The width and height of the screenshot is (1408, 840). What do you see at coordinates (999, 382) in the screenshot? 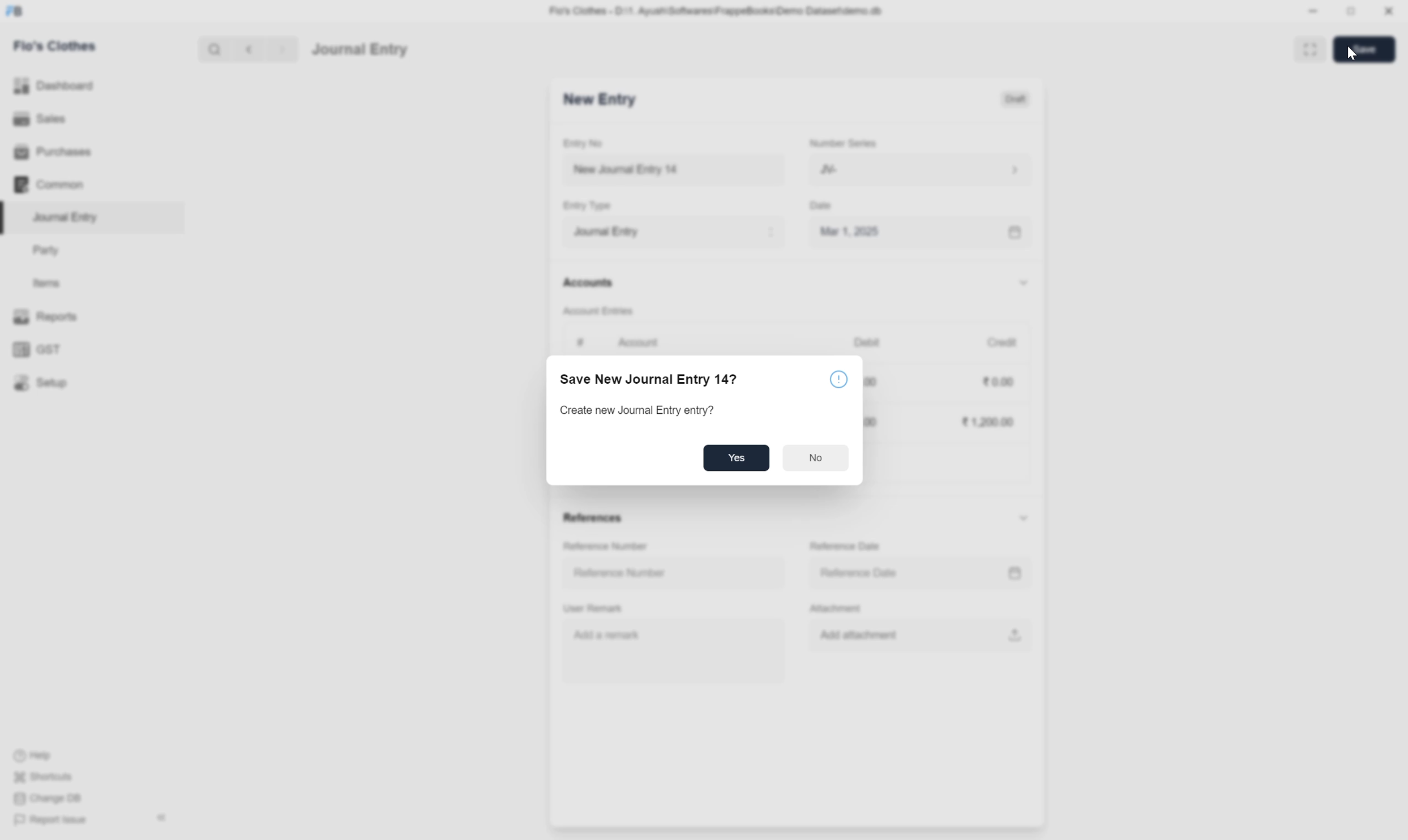
I see `0.00` at bounding box center [999, 382].